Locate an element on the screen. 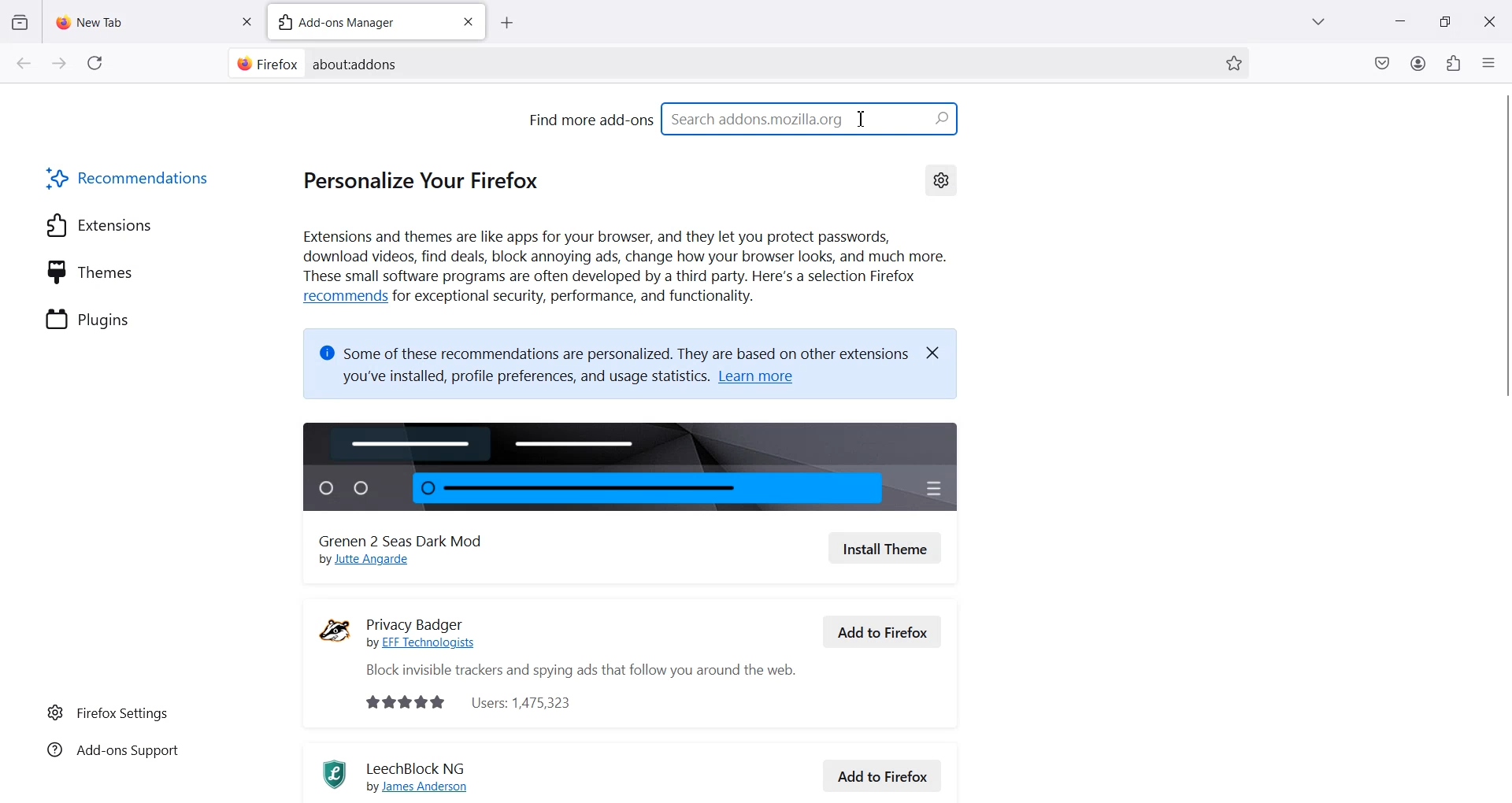 The height and width of the screenshot is (803, 1512). for exceptional security, performance, and functionality. is located at coordinates (585, 299).